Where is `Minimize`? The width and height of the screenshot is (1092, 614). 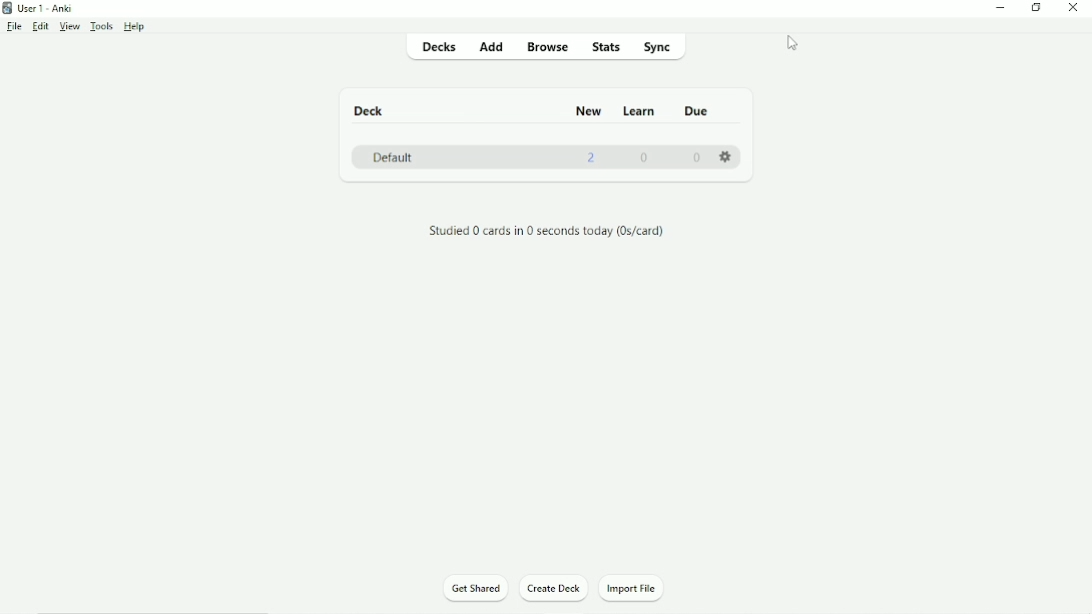
Minimize is located at coordinates (1003, 7).